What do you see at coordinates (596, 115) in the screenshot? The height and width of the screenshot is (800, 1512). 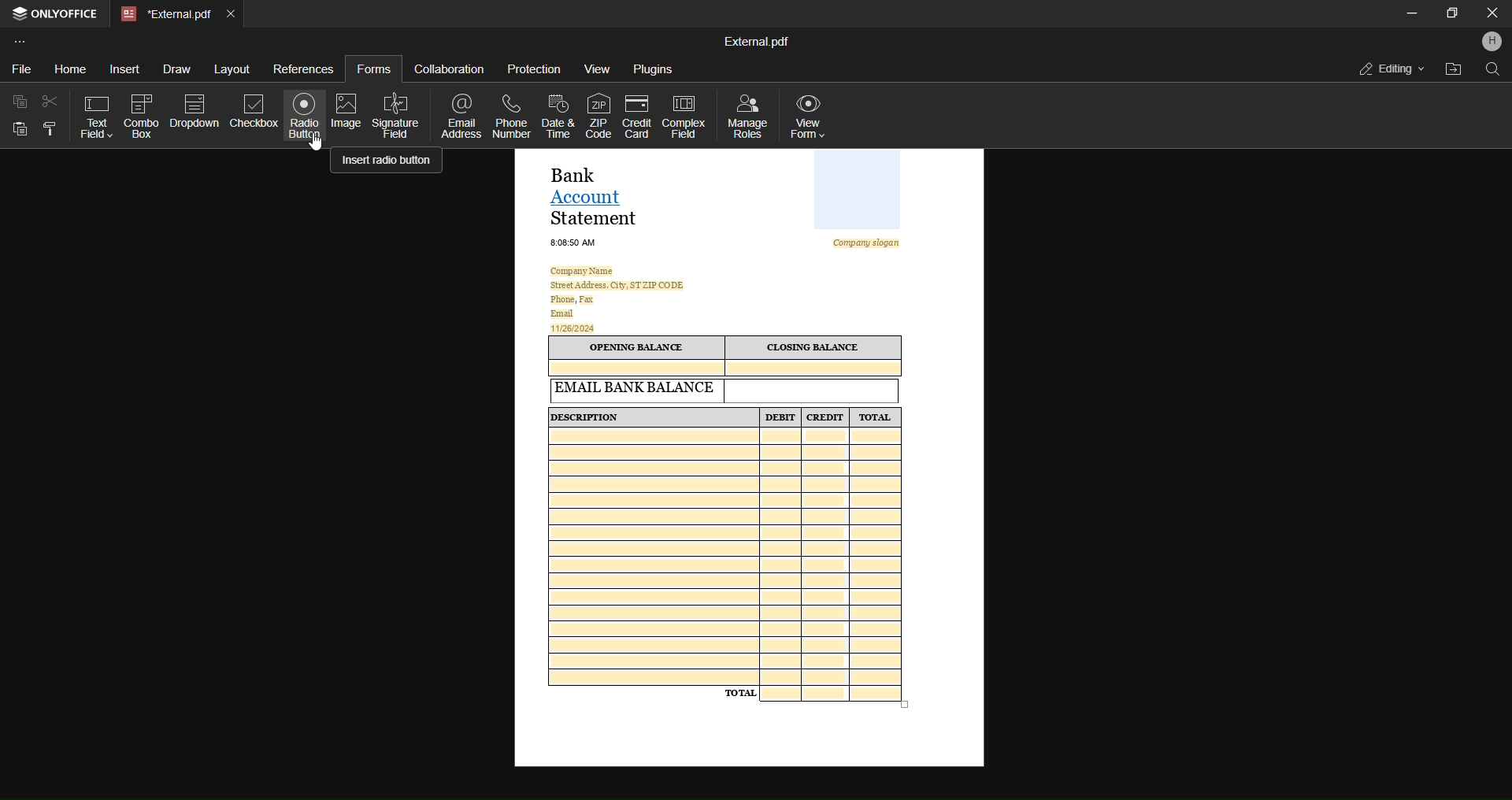 I see `zip code` at bounding box center [596, 115].